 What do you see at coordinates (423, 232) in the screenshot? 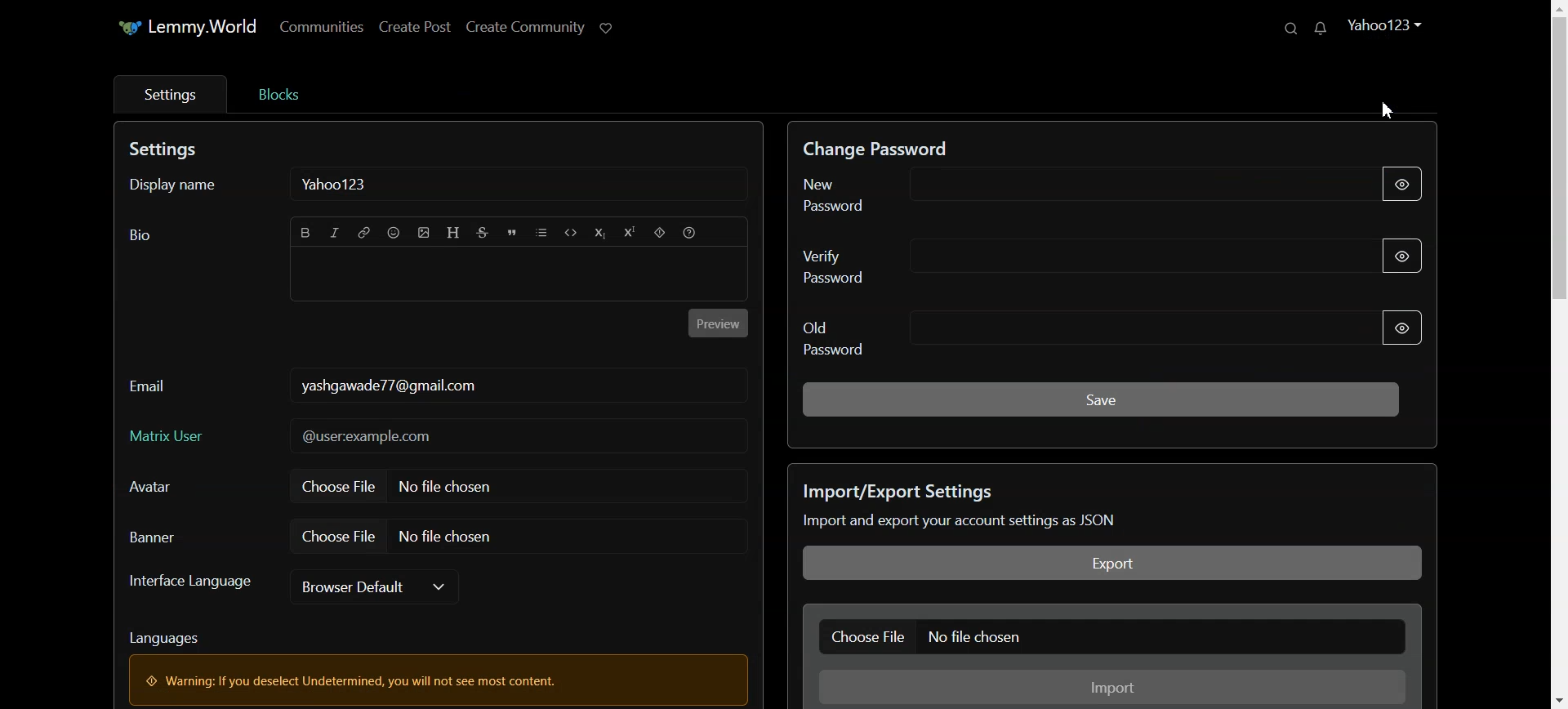
I see `Import Image` at bounding box center [423, 232].